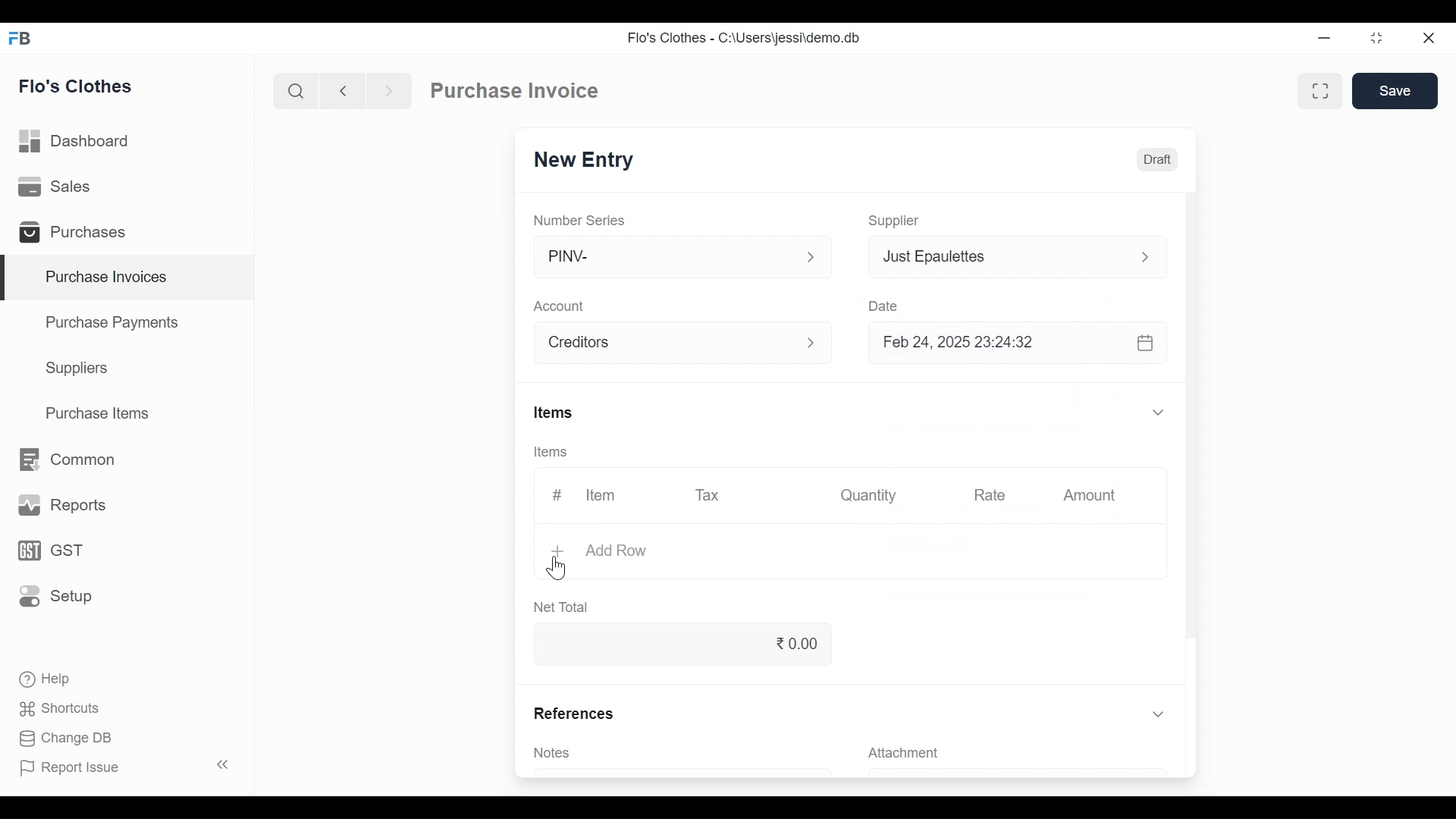  I want to click on Shortcuts, so click(60, 710).